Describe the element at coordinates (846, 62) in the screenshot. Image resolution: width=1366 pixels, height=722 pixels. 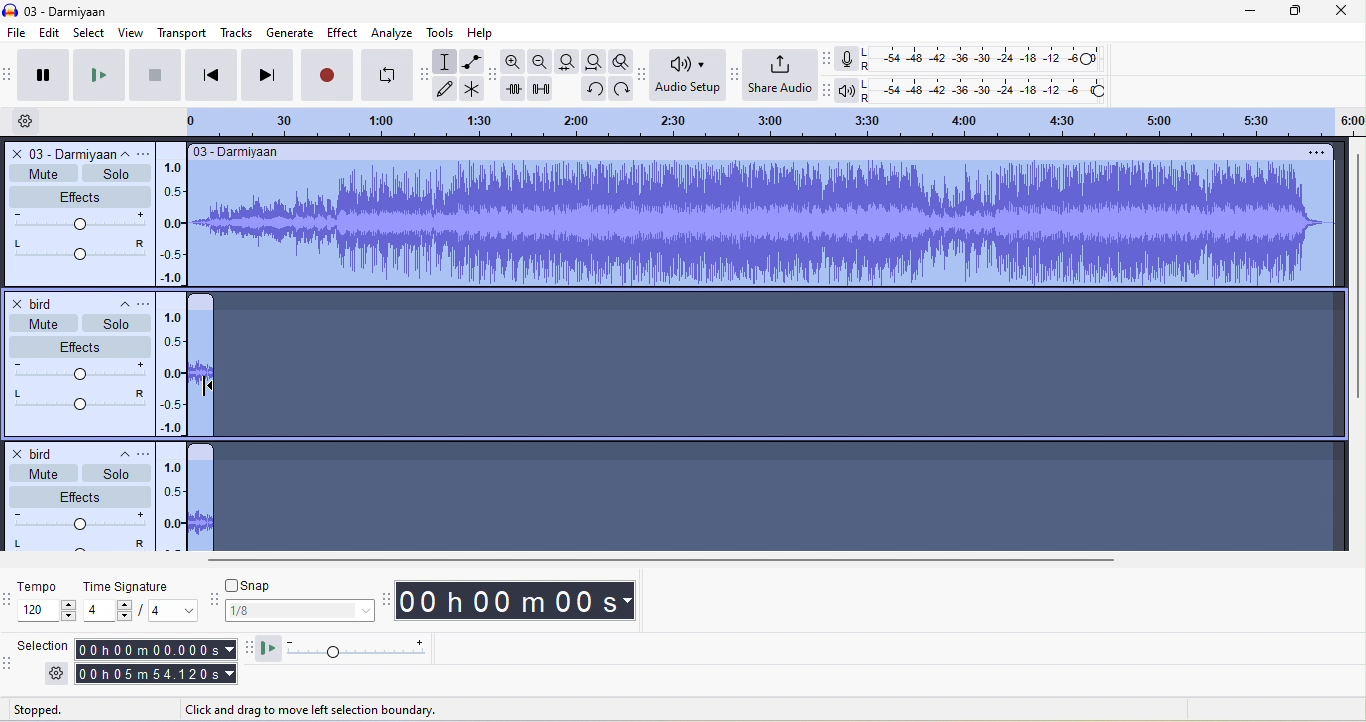
I see `record meter` at that location.